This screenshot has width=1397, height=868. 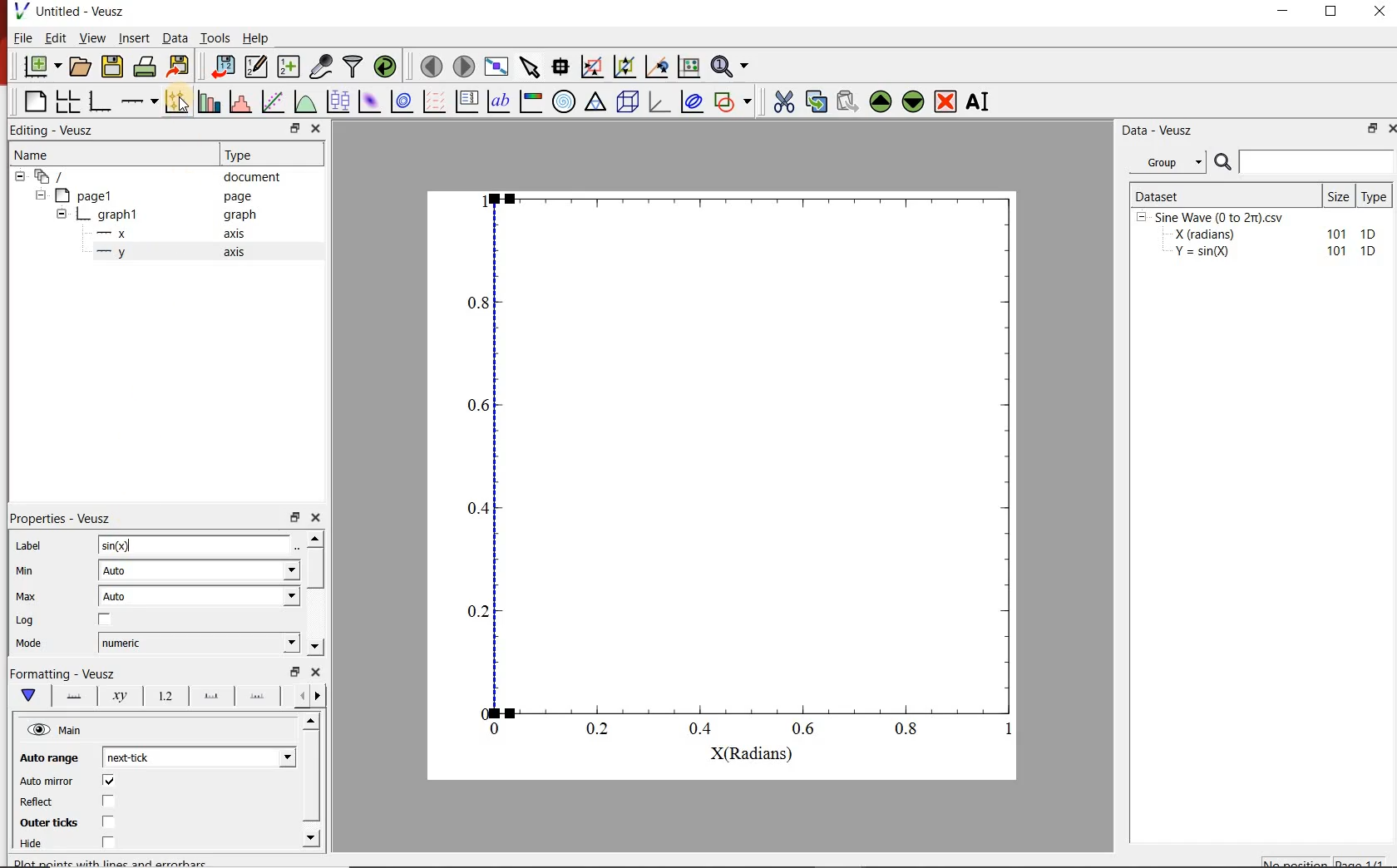 What do you see at coordinates (847, 101) in the screenshot?
I see `paste` at bounding box center [847, 101].